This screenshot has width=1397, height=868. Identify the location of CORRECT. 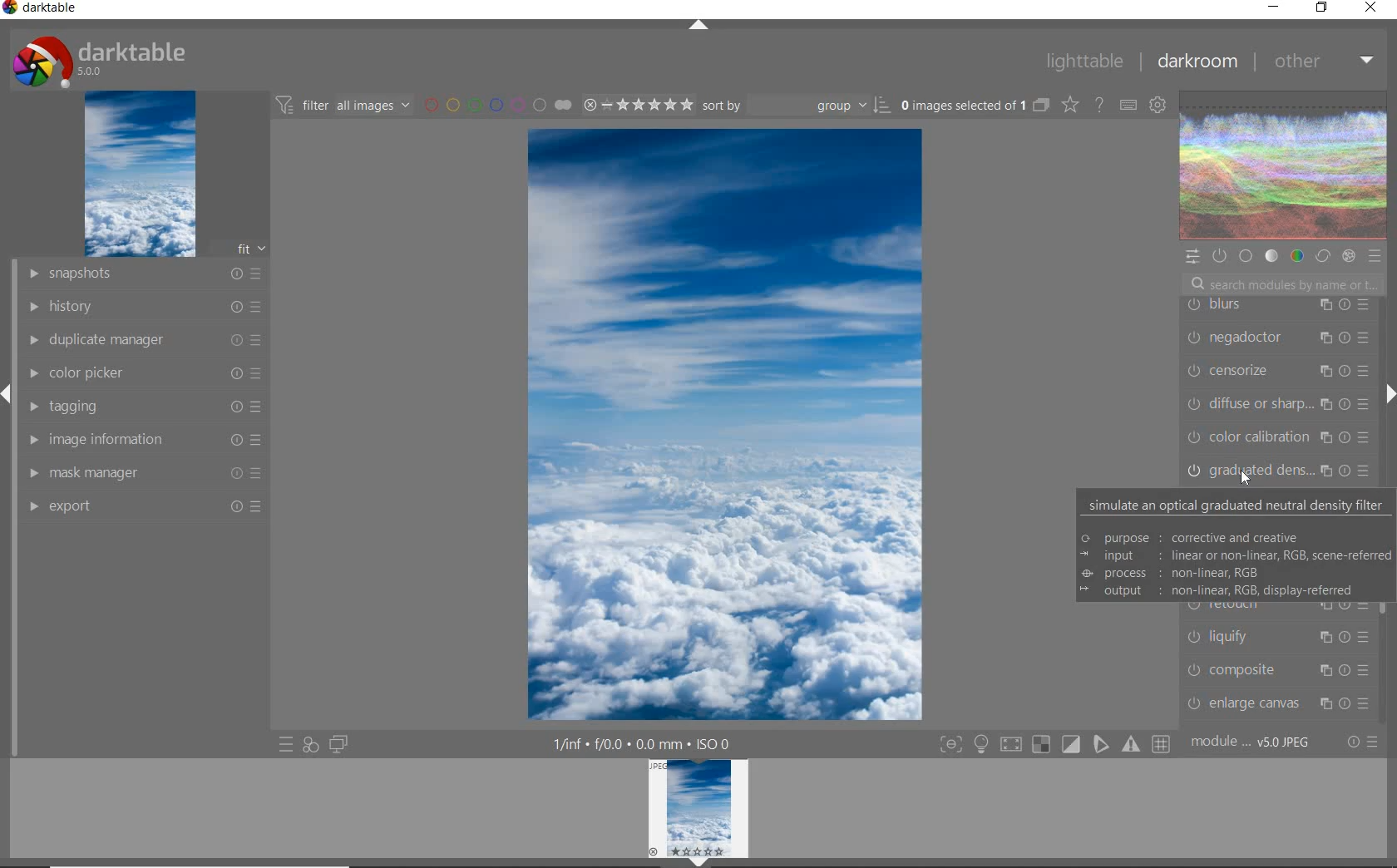
(1322, 255).